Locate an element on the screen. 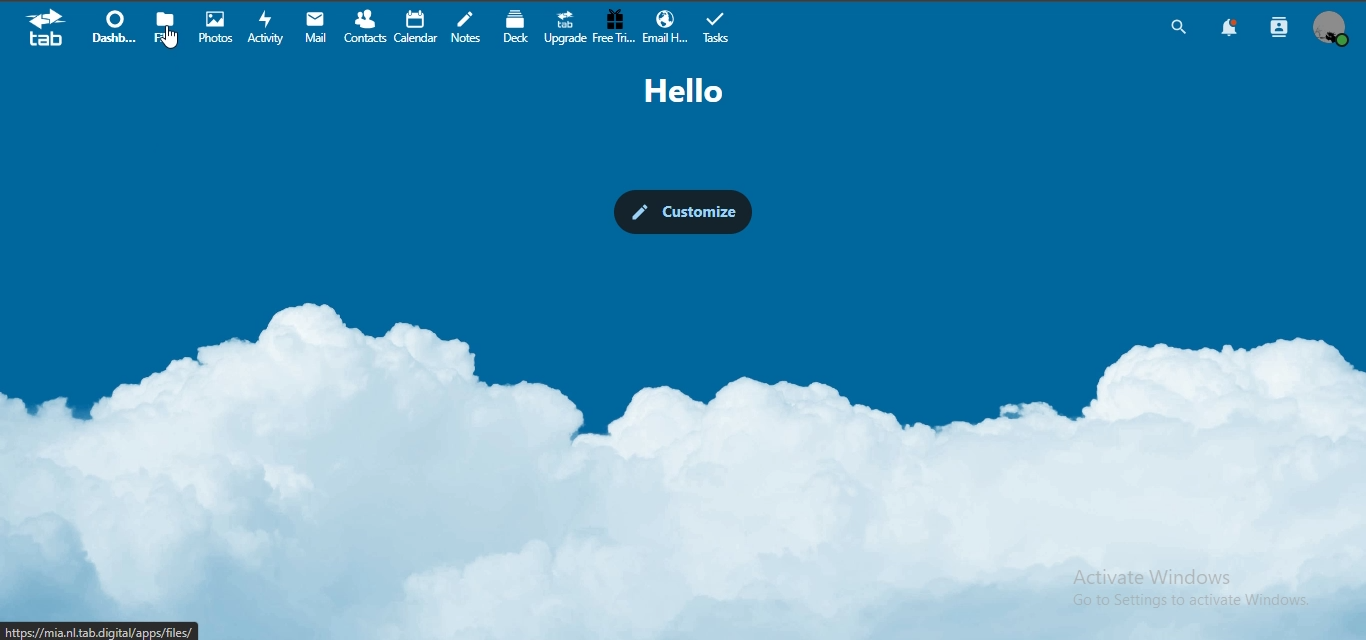 This screenshot has height=640, width=1366. notifications is located at coordinates (1231, 29).